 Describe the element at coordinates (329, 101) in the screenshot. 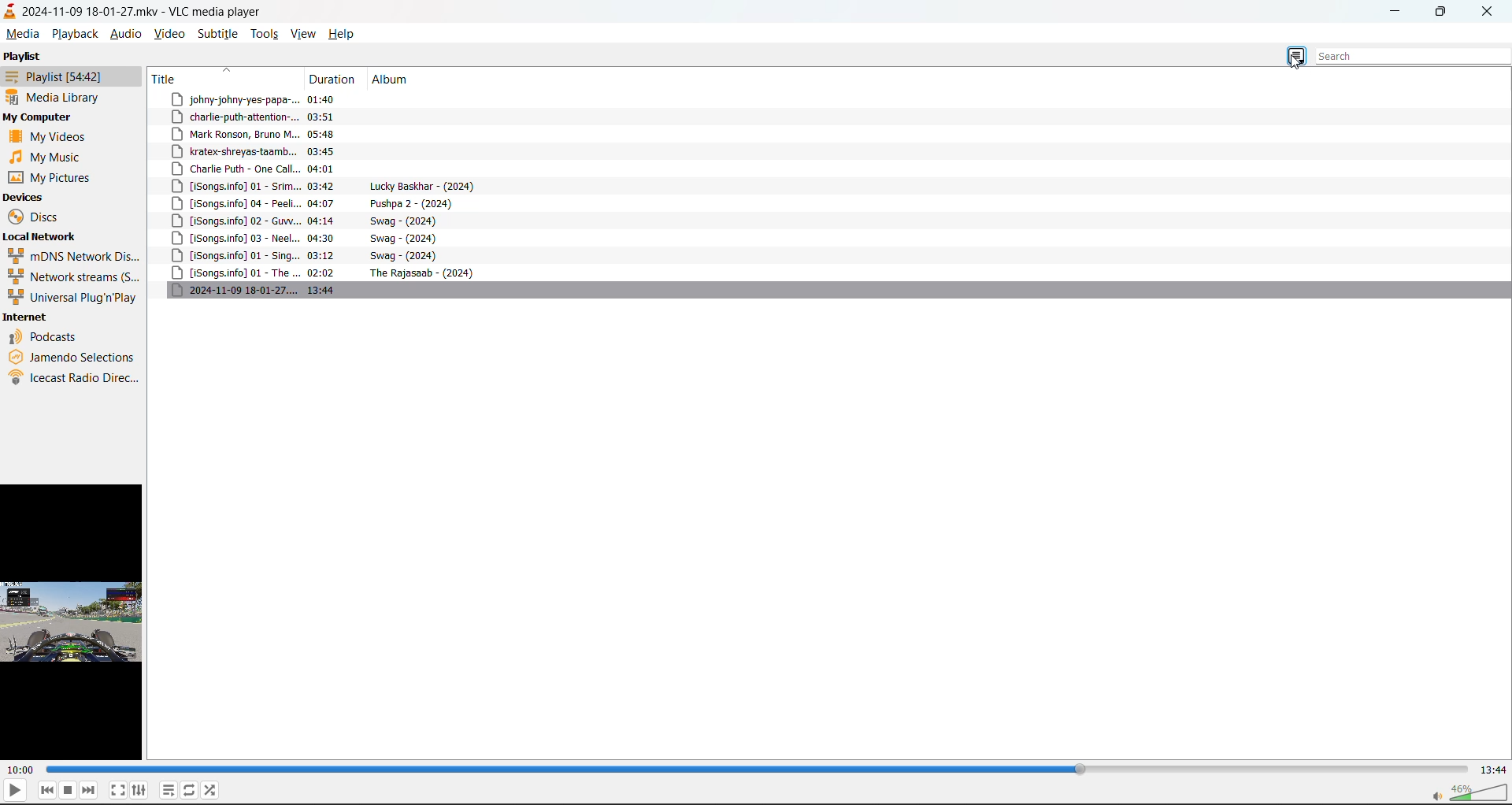

I see `track title, duration and album` at that location.